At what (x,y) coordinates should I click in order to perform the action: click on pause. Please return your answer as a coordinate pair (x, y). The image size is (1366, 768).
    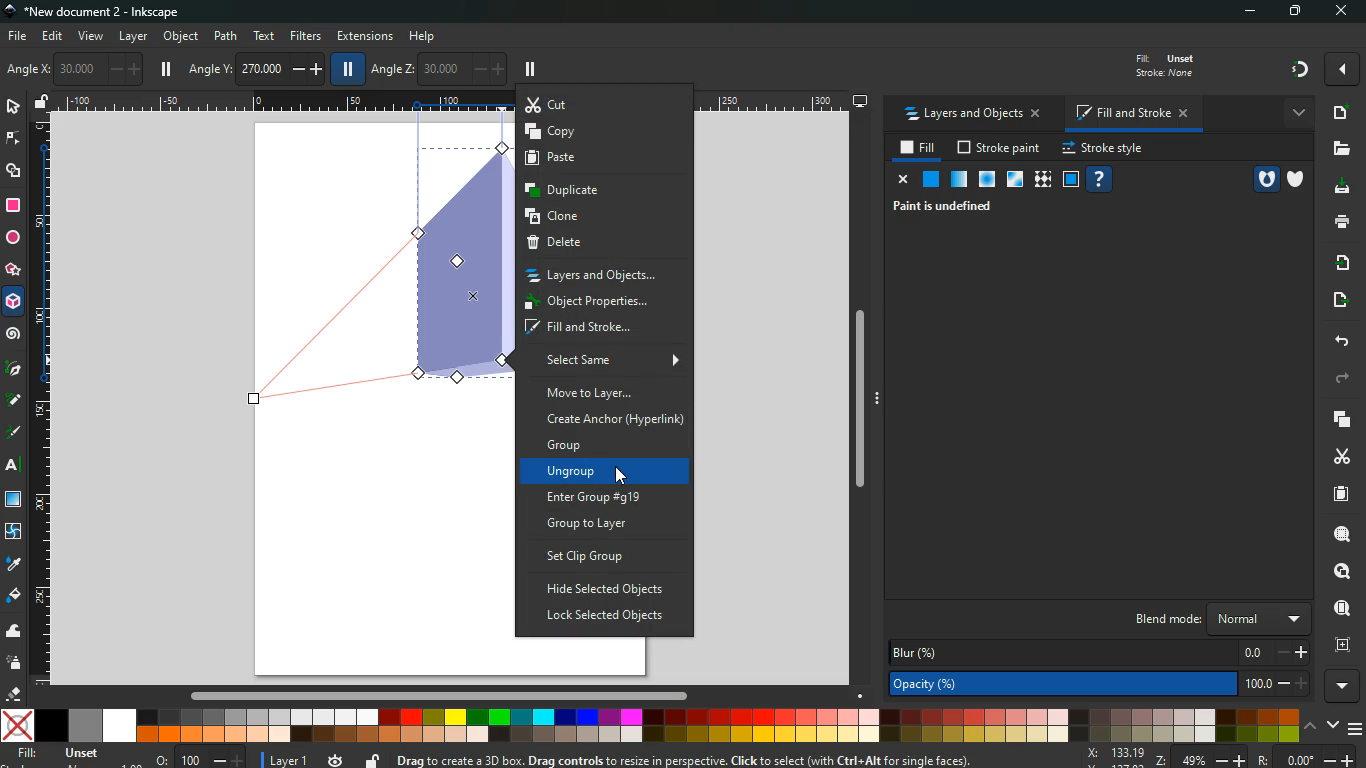
    Looking at the image, I should click on (345, 68).